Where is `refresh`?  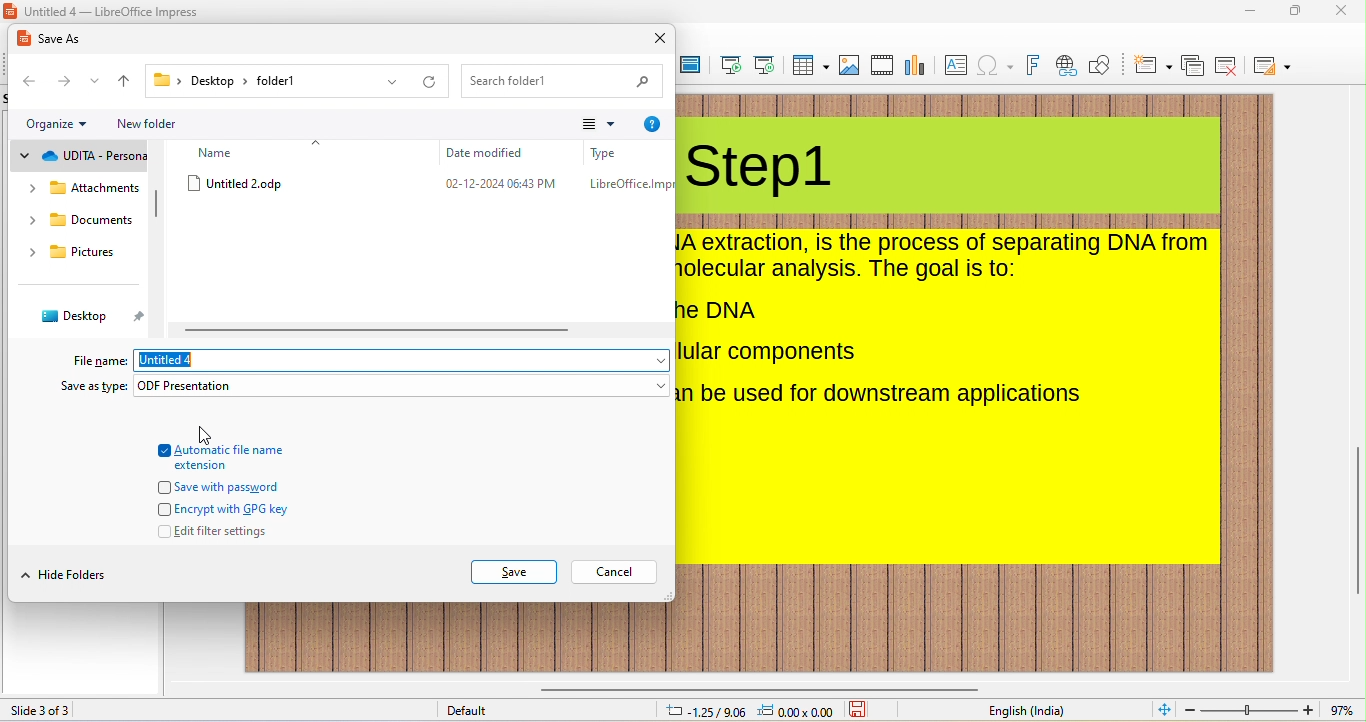 refresh is located at coordinates (430, 85).